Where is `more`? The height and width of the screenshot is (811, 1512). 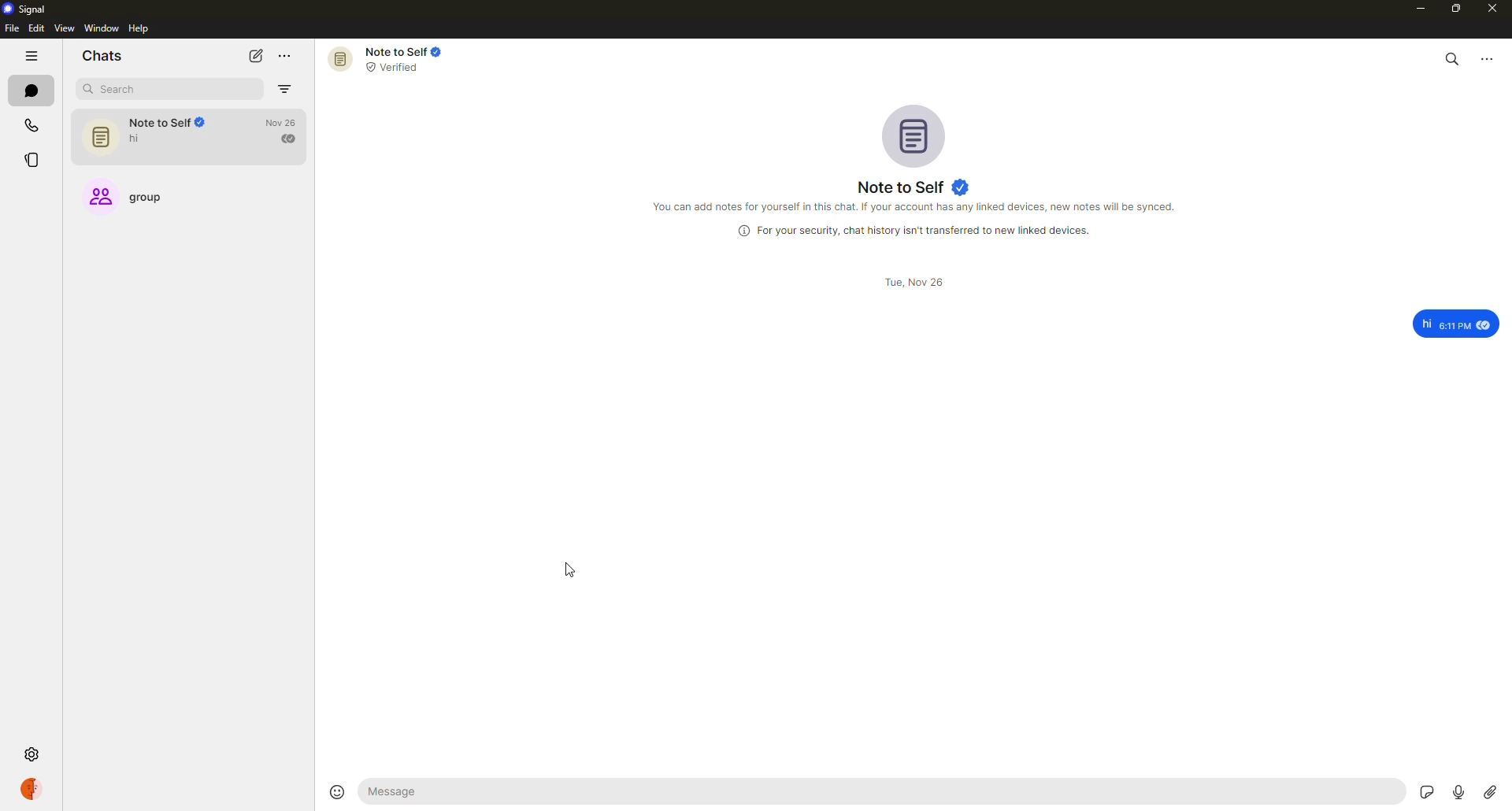
more is located at coordinates (285, 55).